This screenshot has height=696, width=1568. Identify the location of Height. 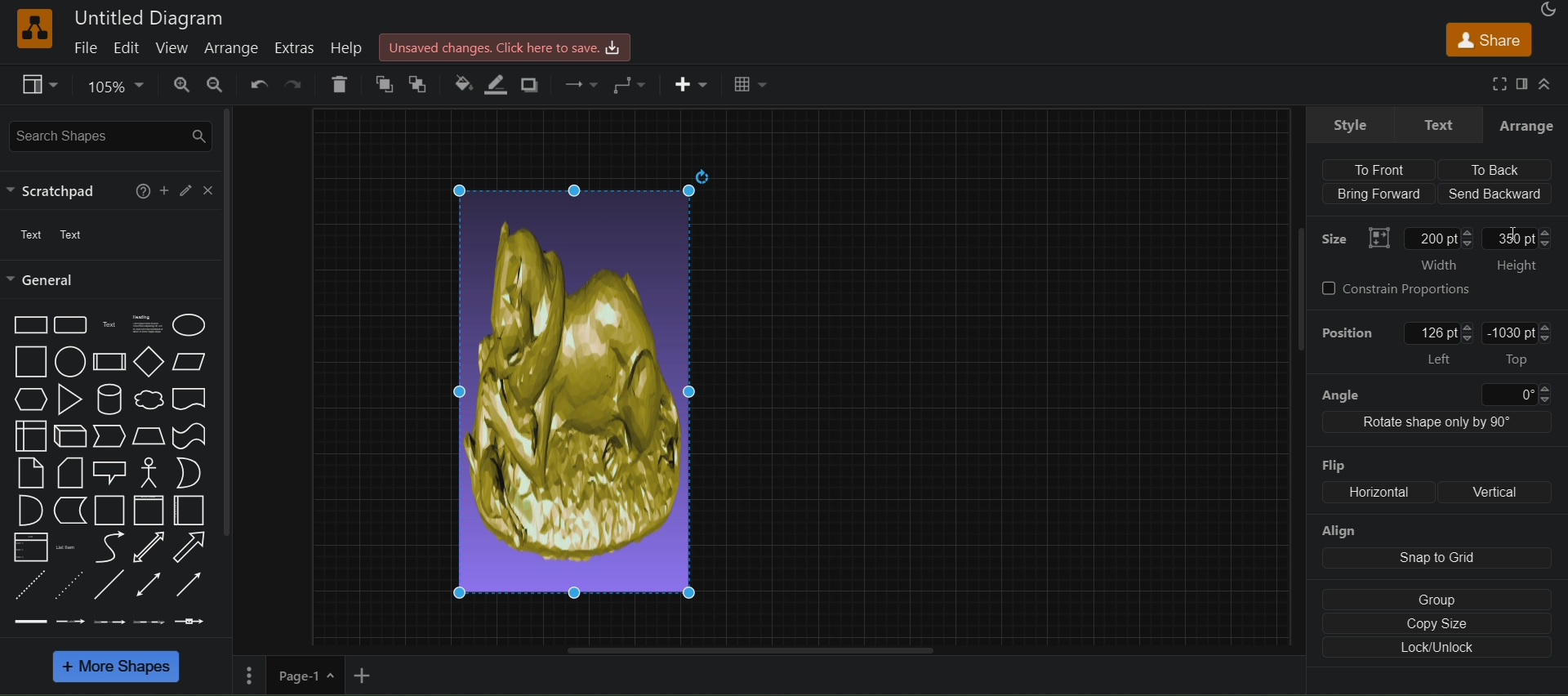
(1520, 267).